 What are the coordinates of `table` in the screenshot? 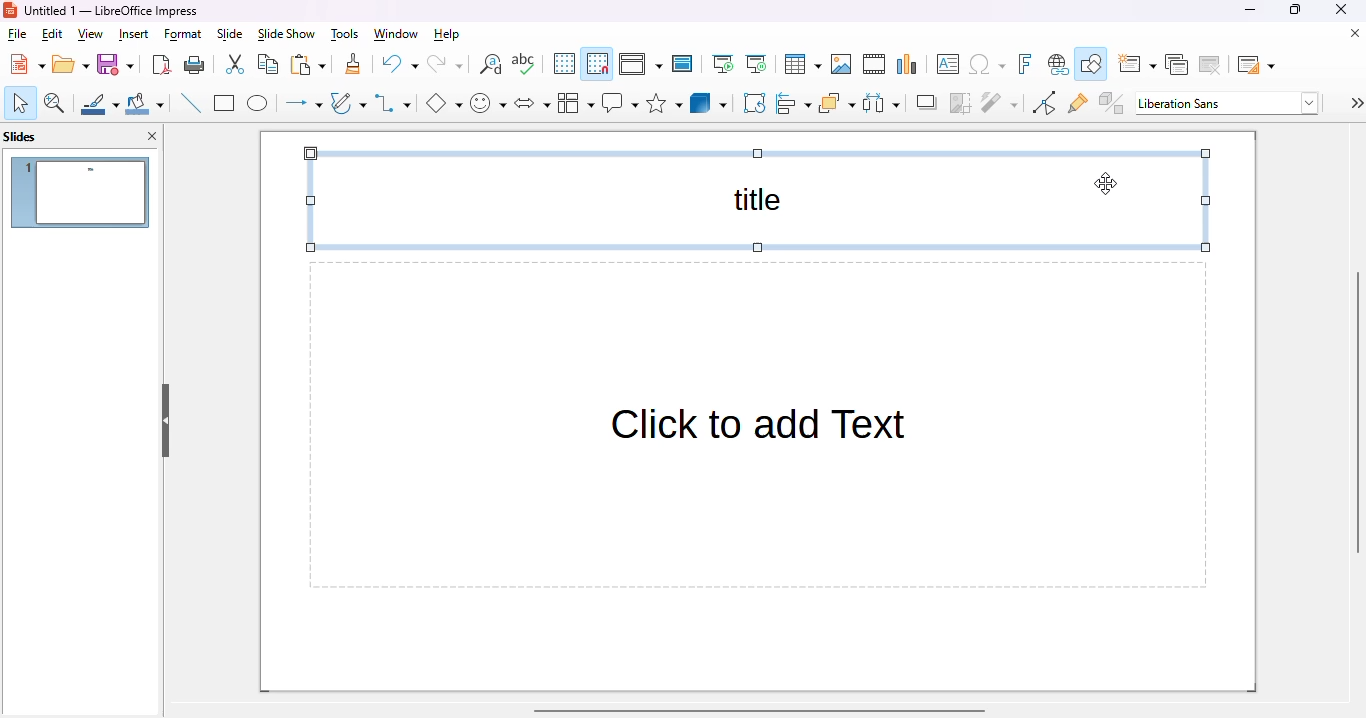 It's located at (803, 64).